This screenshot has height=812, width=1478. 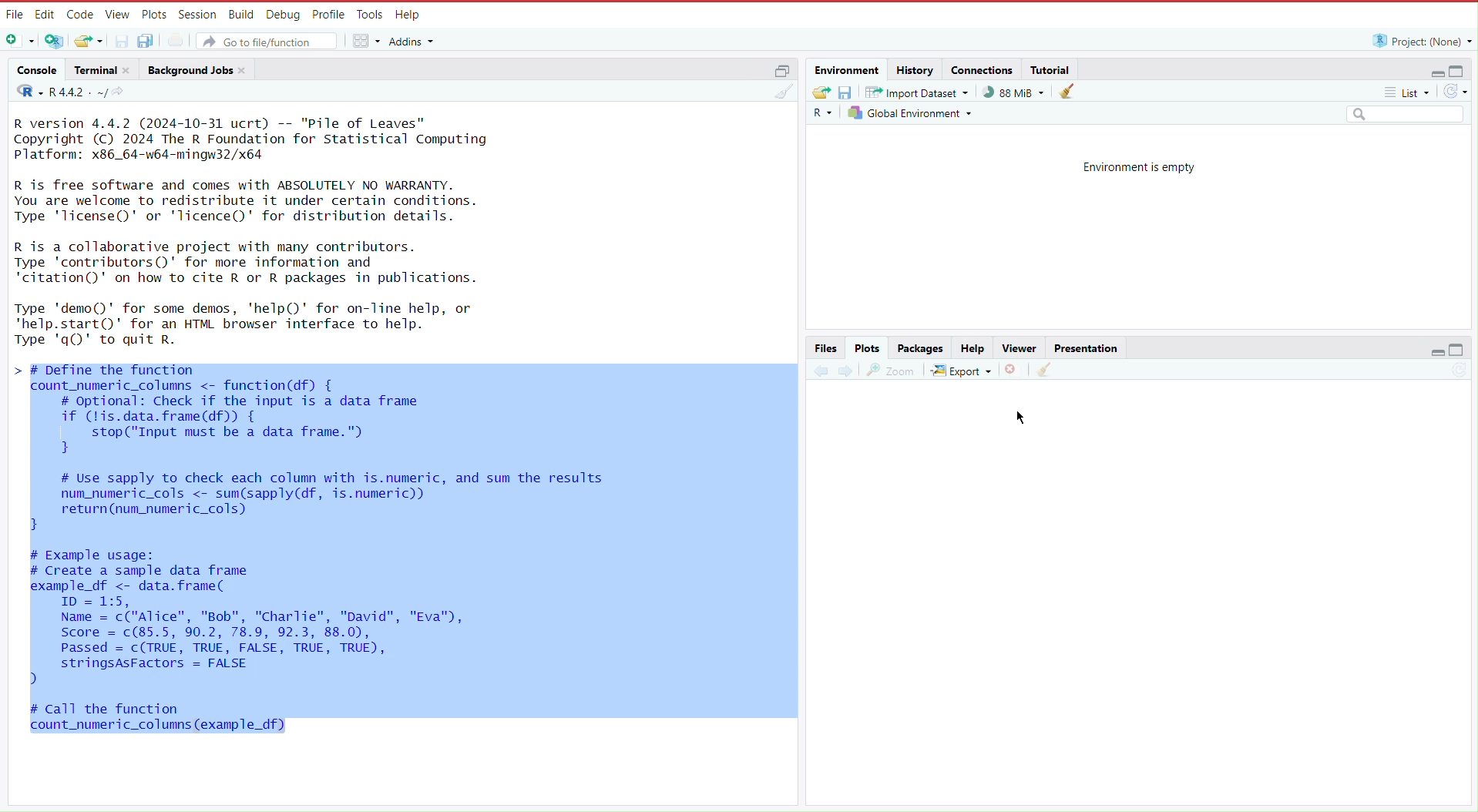 I want to click on Edit, so click(x=45, y=14).